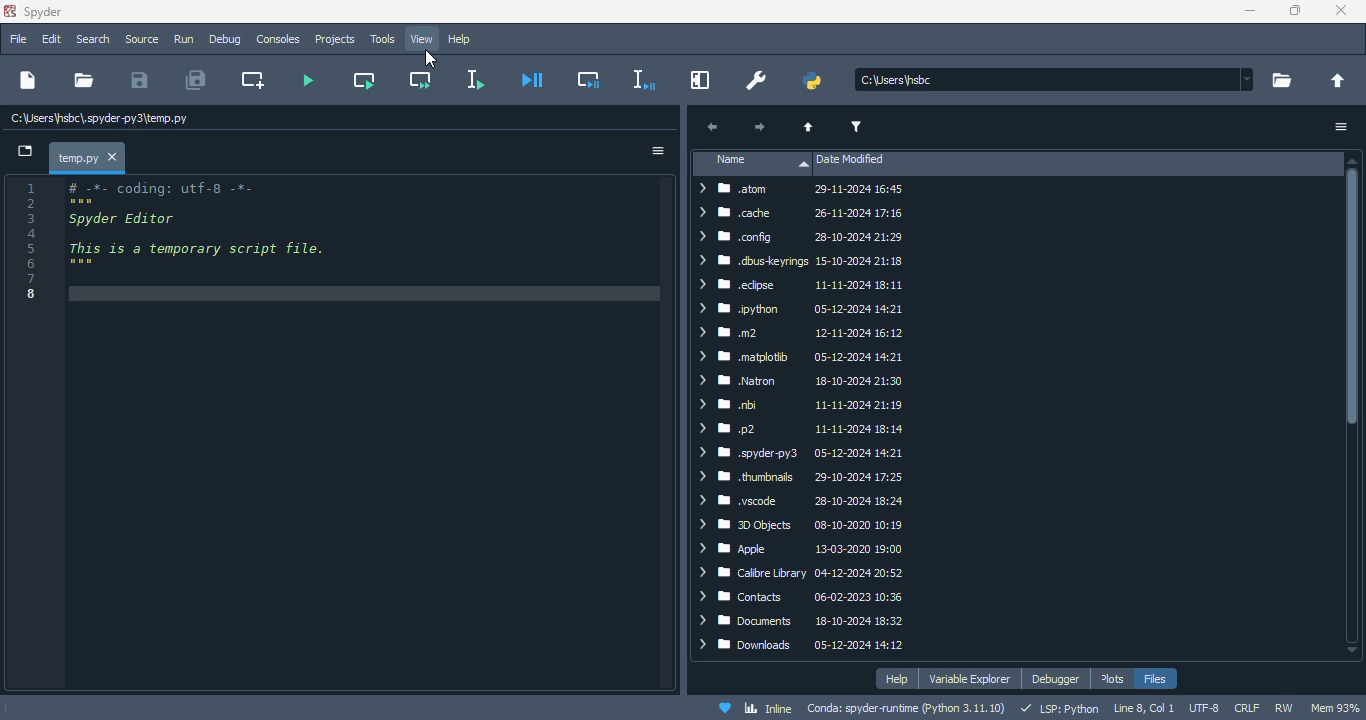 The width and height of the screenshot is (1366, 720). I want to click on Documents, so click(804, 622).